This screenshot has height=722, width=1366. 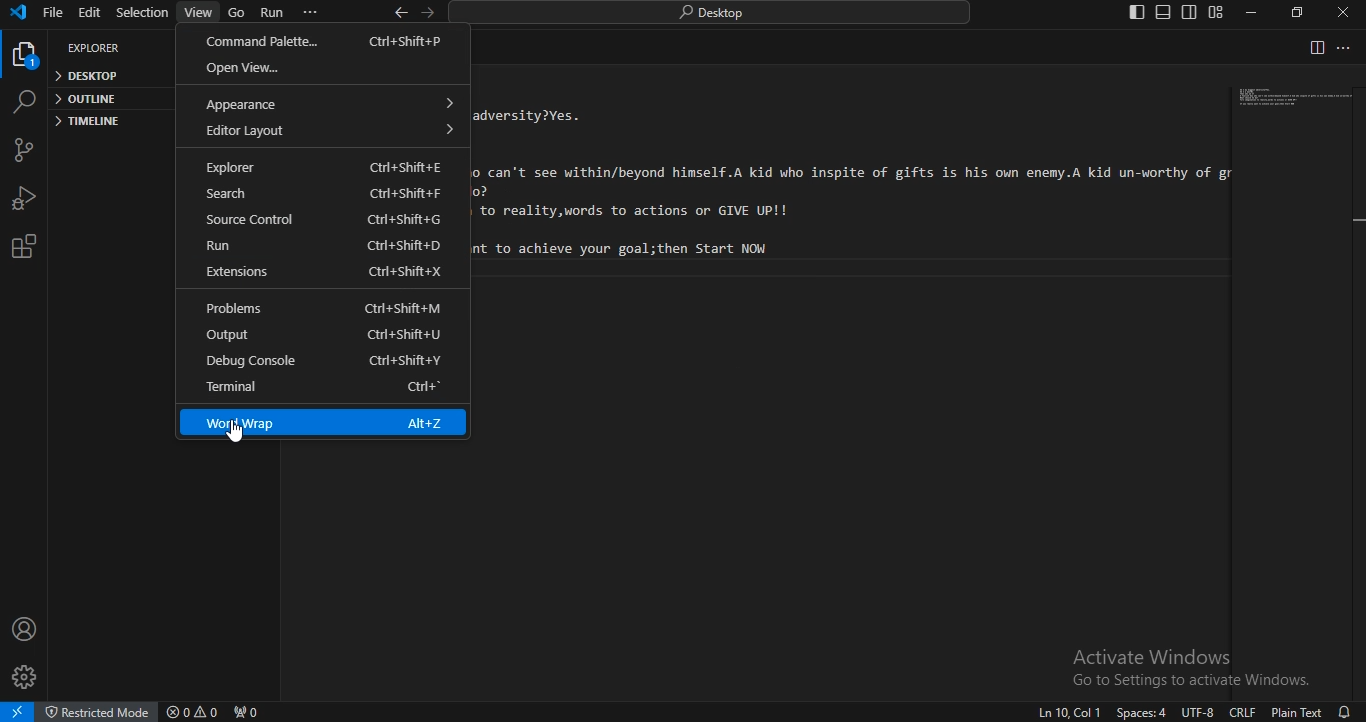 I want to click on go, so click(x=236, y=15).